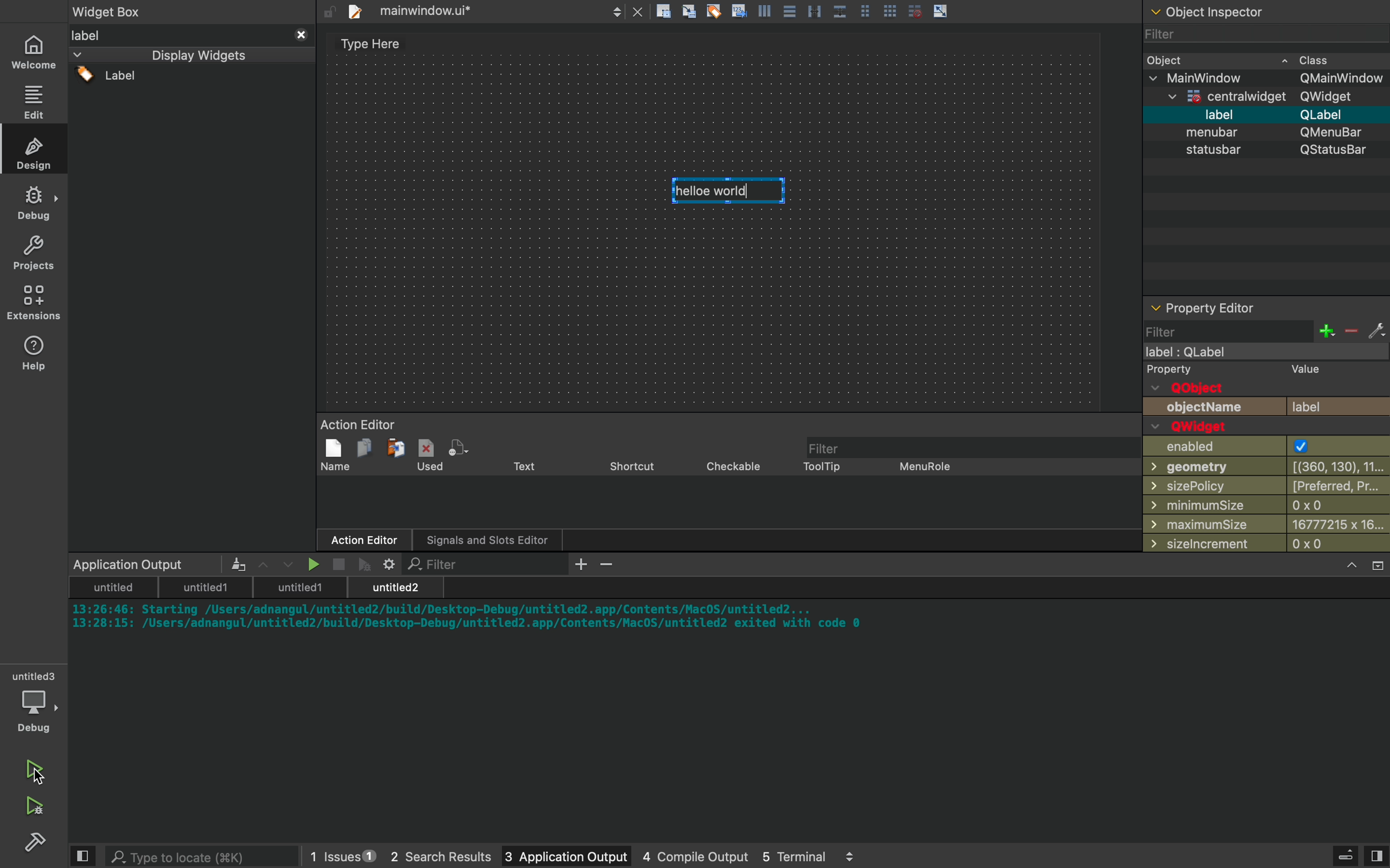  What do you see at coordinates (1268, 427) in the screenshot?
I see `properties of widget` at bounding box center [1268, 427].